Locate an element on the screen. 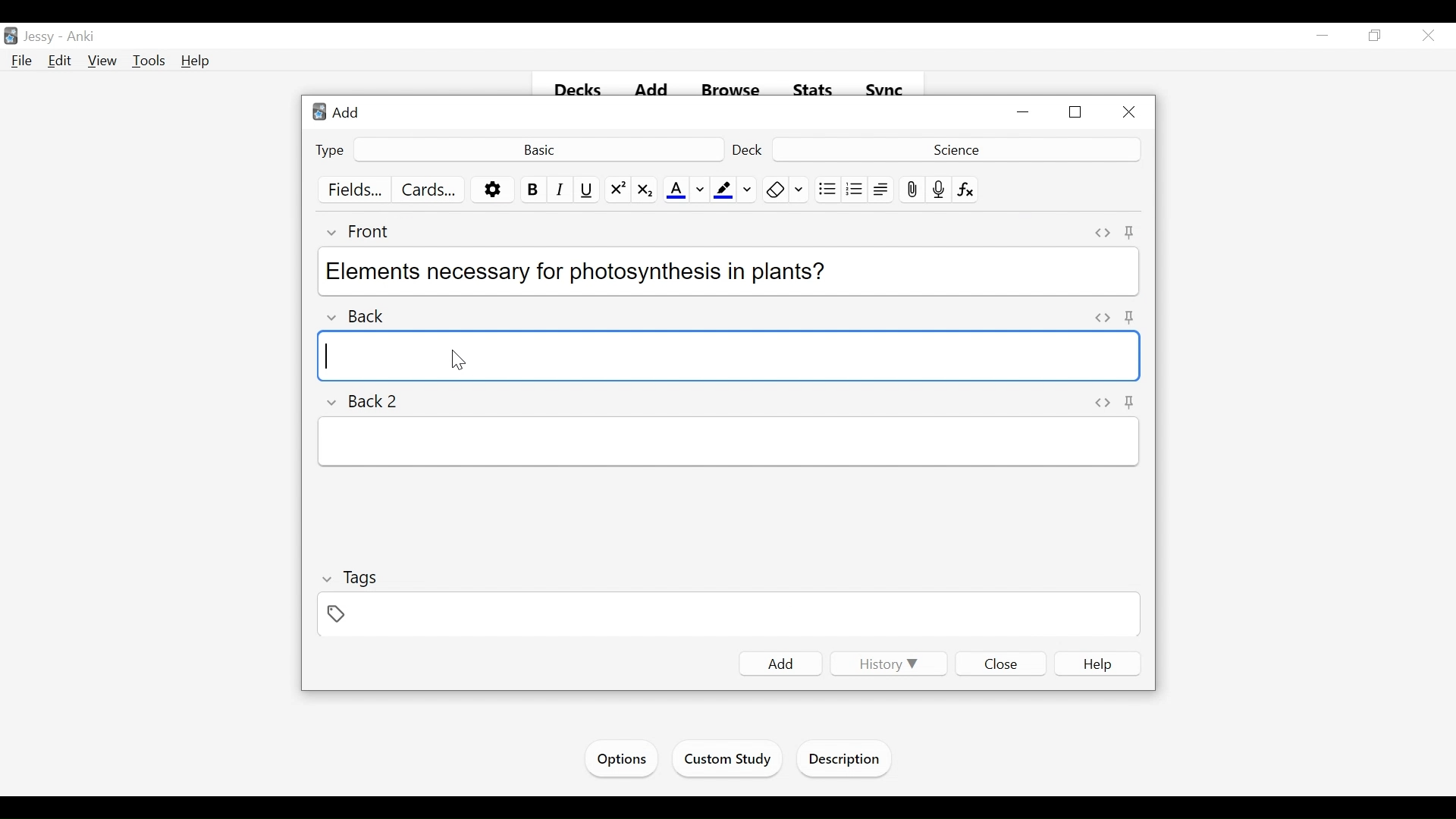 The image size is (1456, 819). Ordered list is located at coordinates (855, 190).